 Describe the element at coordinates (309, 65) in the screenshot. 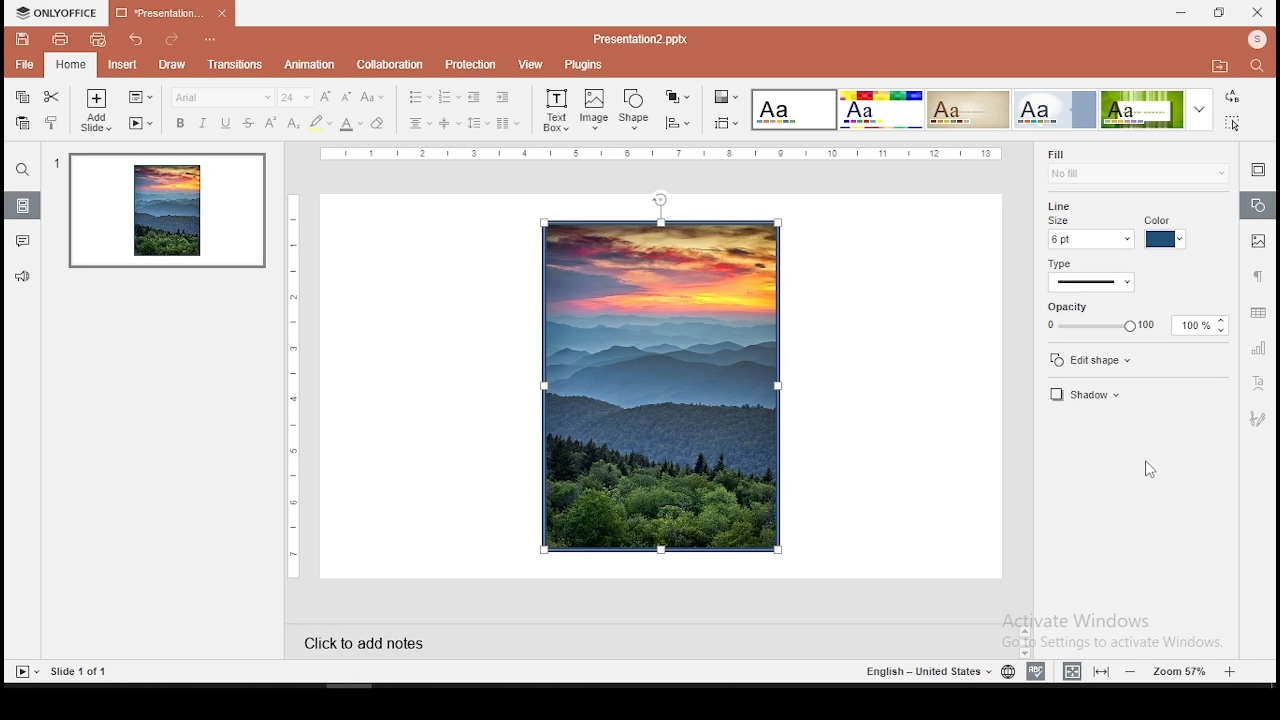

I see `animation` at that location.